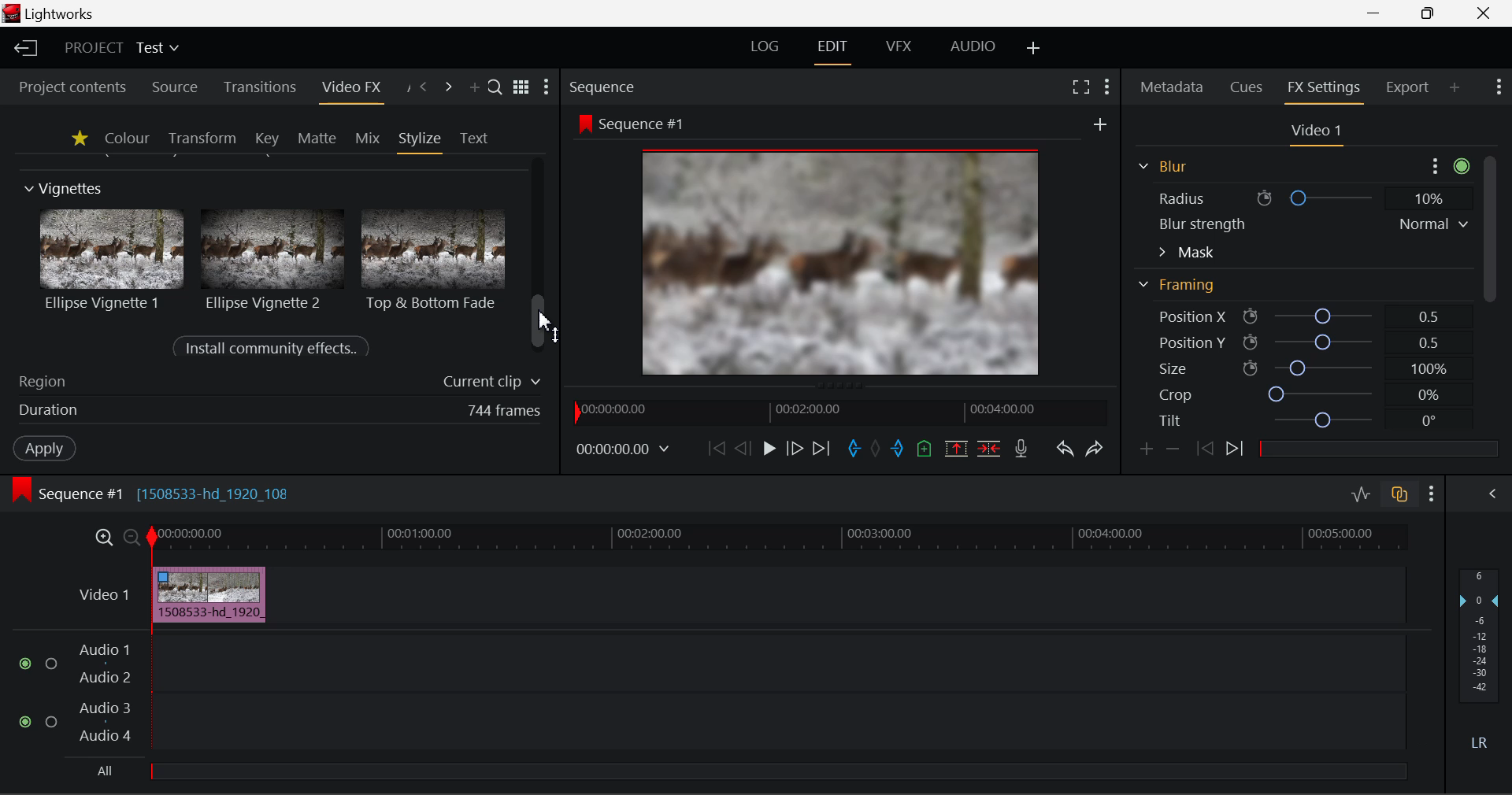  What do you see at coordinates (1429, 14) in the screenshot?
I see `Minimize` at bounding box center [1429, 14].